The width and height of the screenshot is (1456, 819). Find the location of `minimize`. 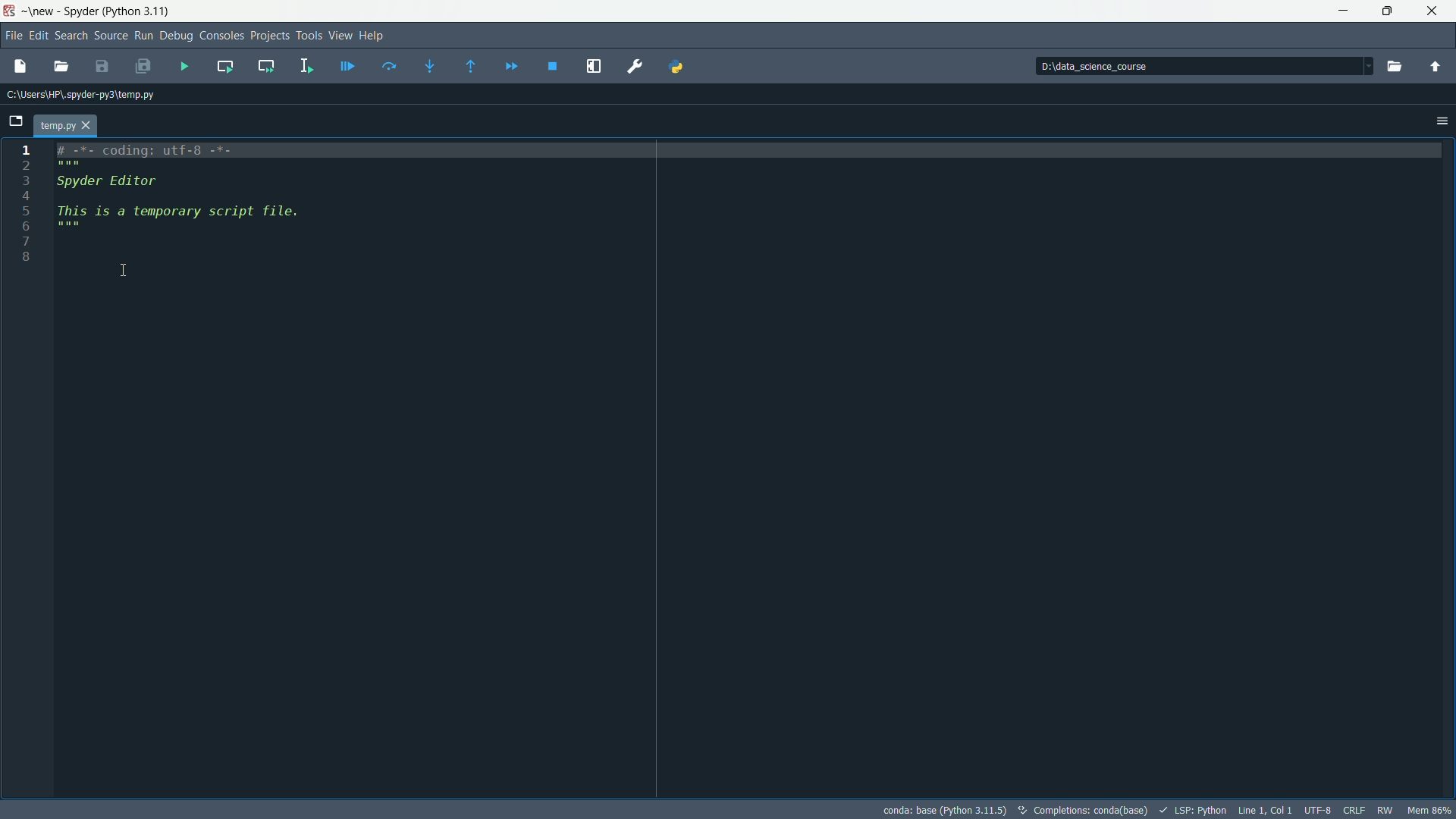

minimize is located at coordinates (1339, 9).